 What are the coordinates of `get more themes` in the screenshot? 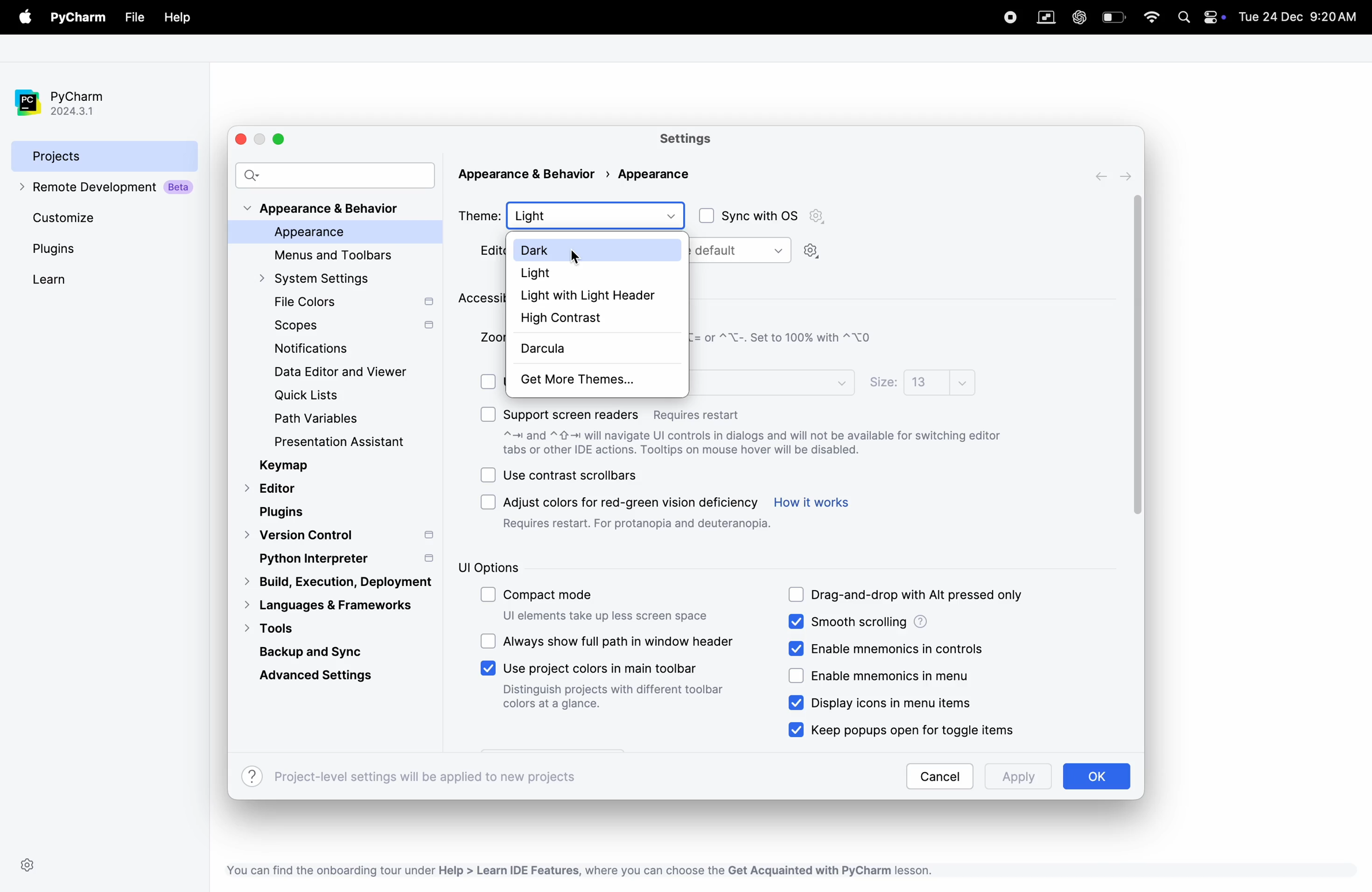 It's located at (594, 381).